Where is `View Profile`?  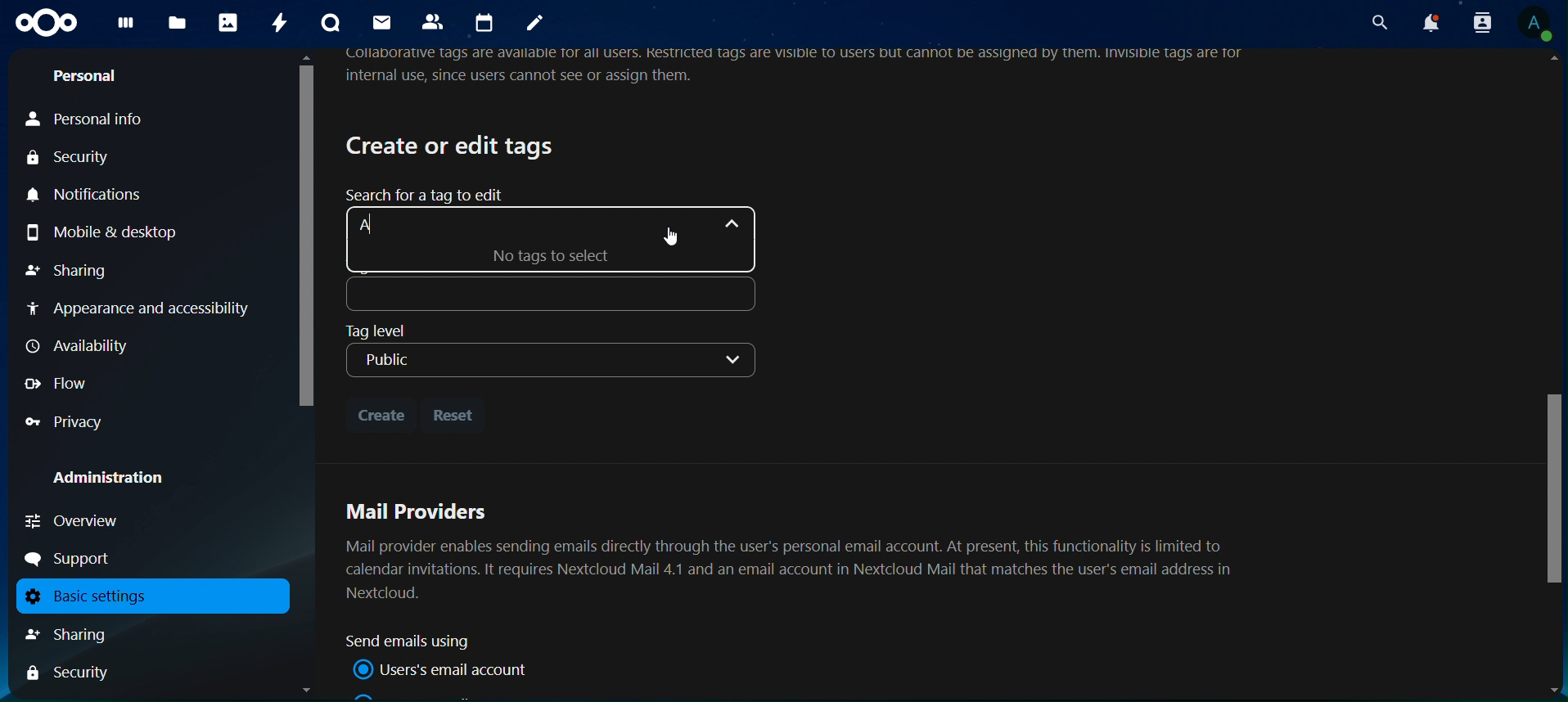
View Profile is located at coordinates (1537, 25).